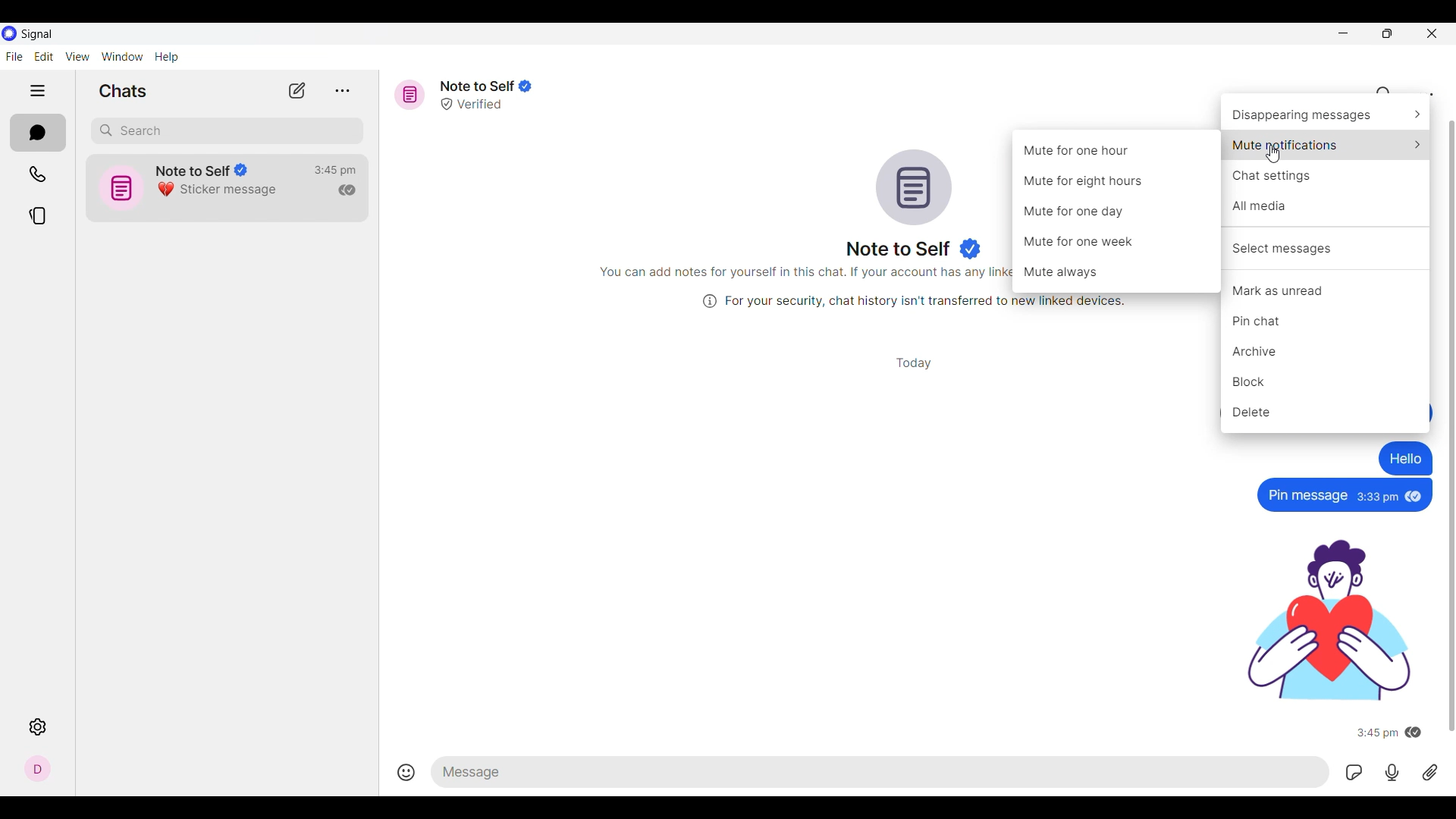 The height and width of the screenshot is (819, 1456). Describe the element at coordinates (914, 362) in the screenshot. I see `Day of conversation` at that location.